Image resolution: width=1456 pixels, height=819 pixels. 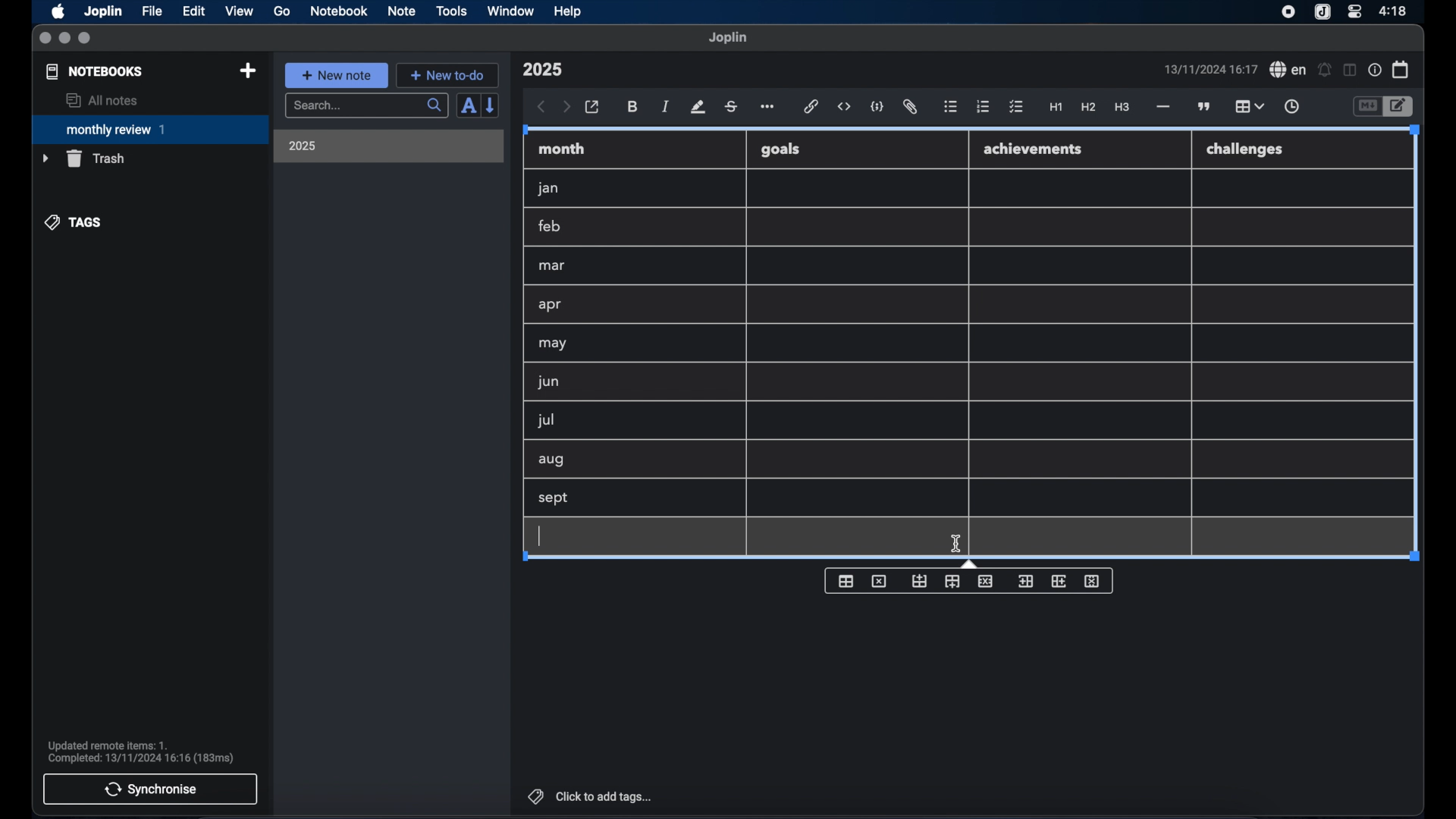 What do you see at coordinates (1205, 107) in the screenshot?
I see `block quotes` at bounding box center [1205, 107].